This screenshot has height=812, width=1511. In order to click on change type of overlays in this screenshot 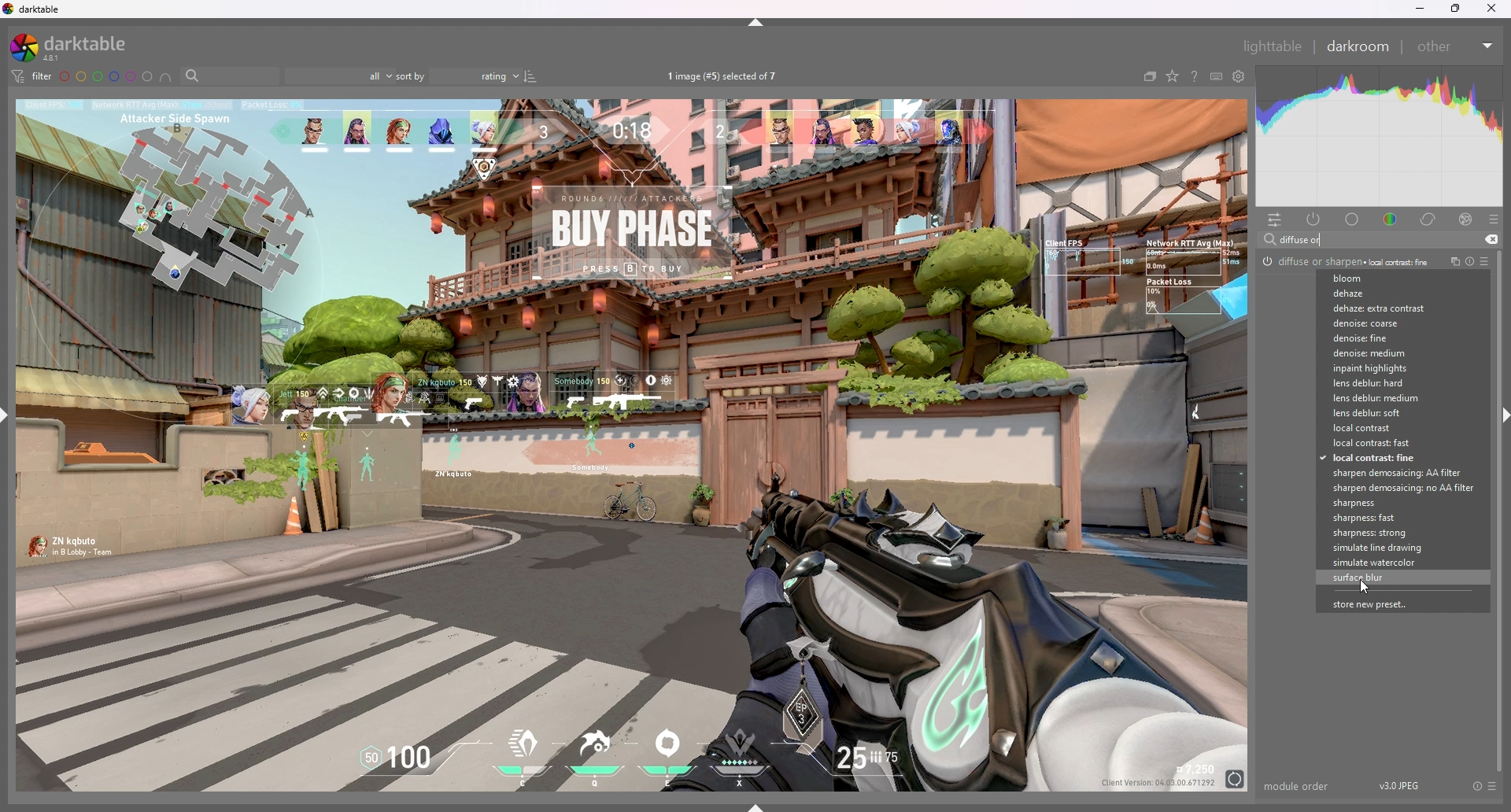, I will do `click(1173, 76)`.